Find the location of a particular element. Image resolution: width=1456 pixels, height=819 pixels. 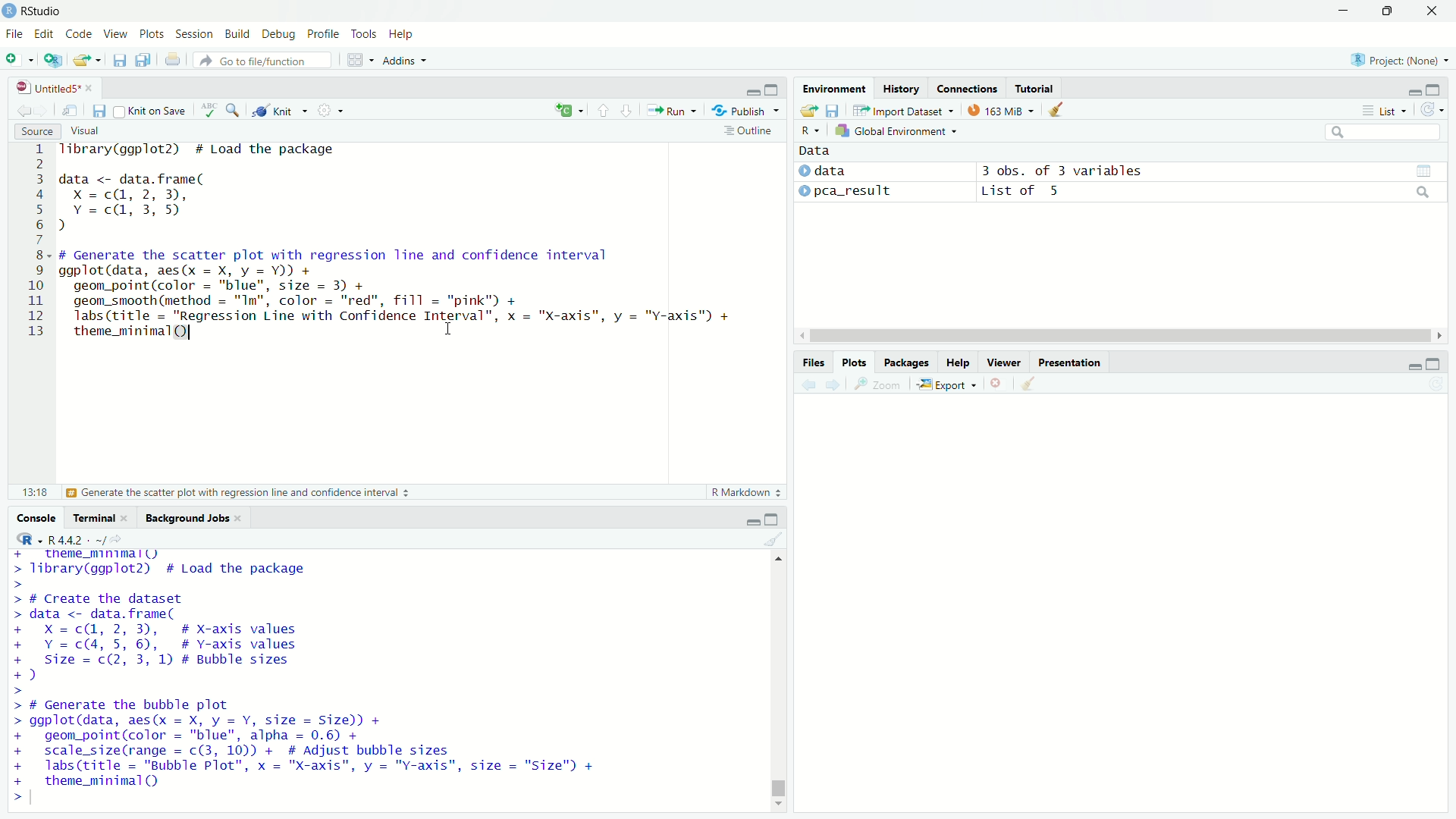

vertical scroll bar is located at coordinates (779, 680).